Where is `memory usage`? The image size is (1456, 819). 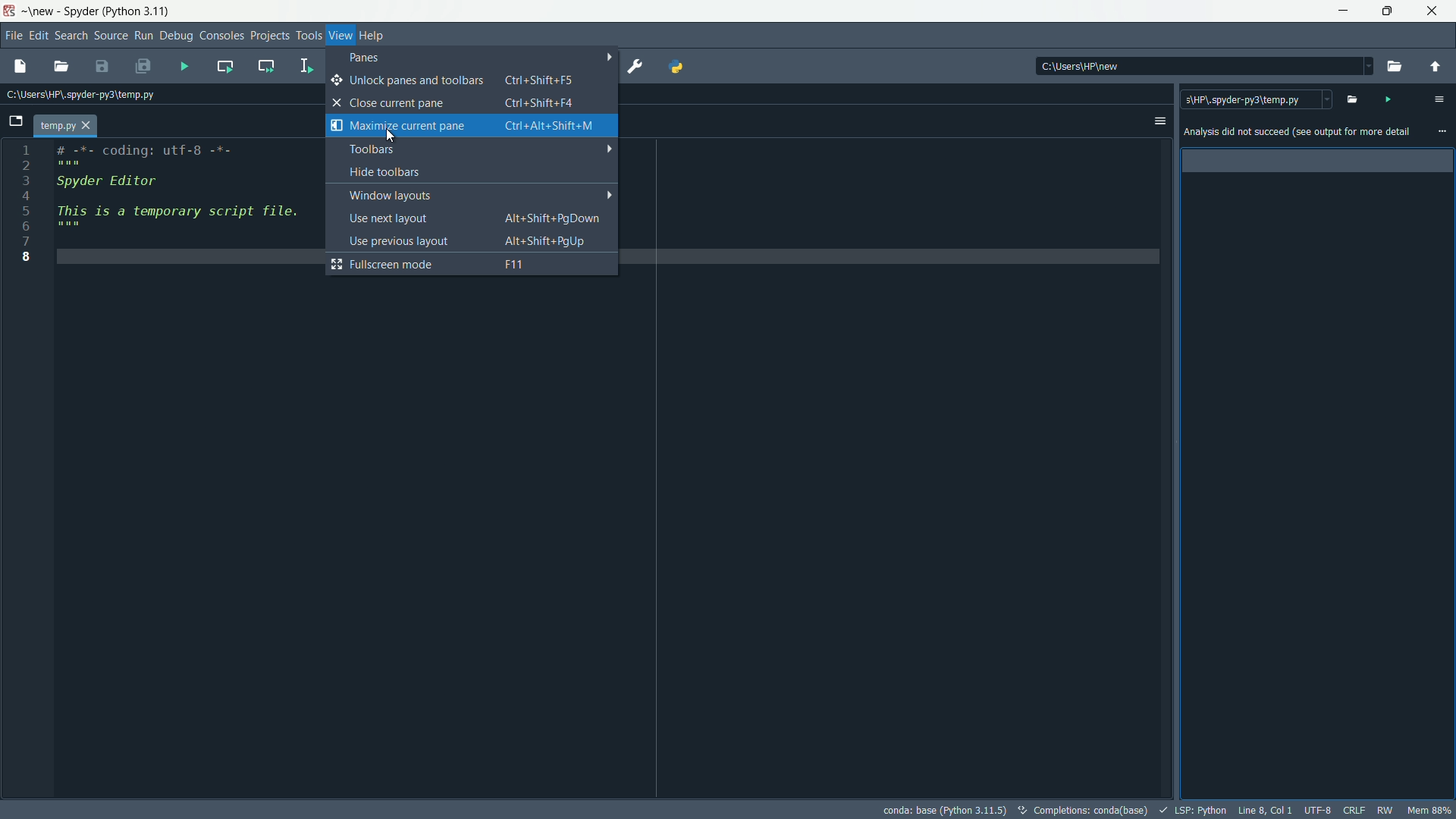
memory usage is located at coordinates (1430, 810).